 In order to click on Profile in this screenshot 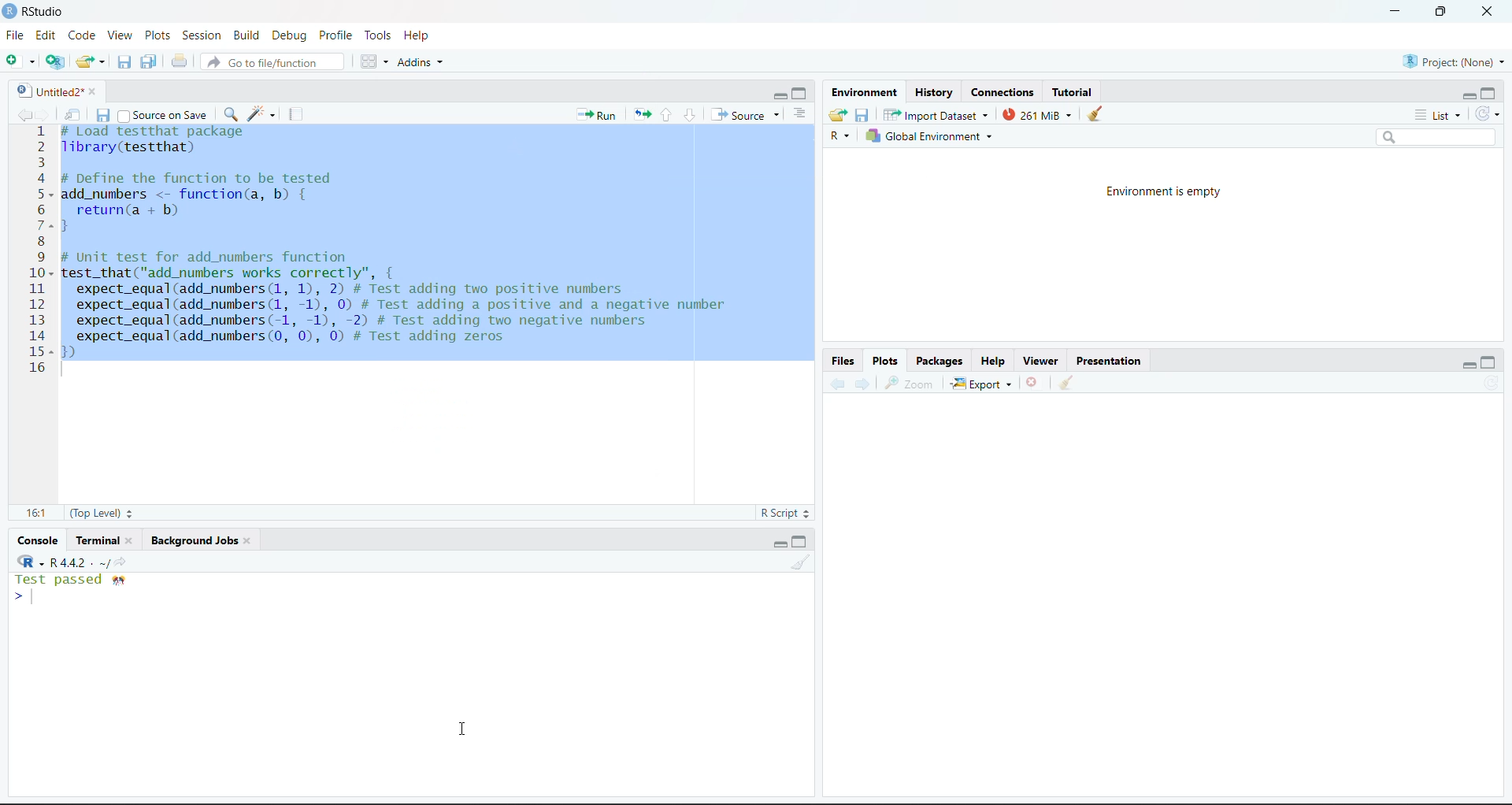, I will do `click(334, 35)`.